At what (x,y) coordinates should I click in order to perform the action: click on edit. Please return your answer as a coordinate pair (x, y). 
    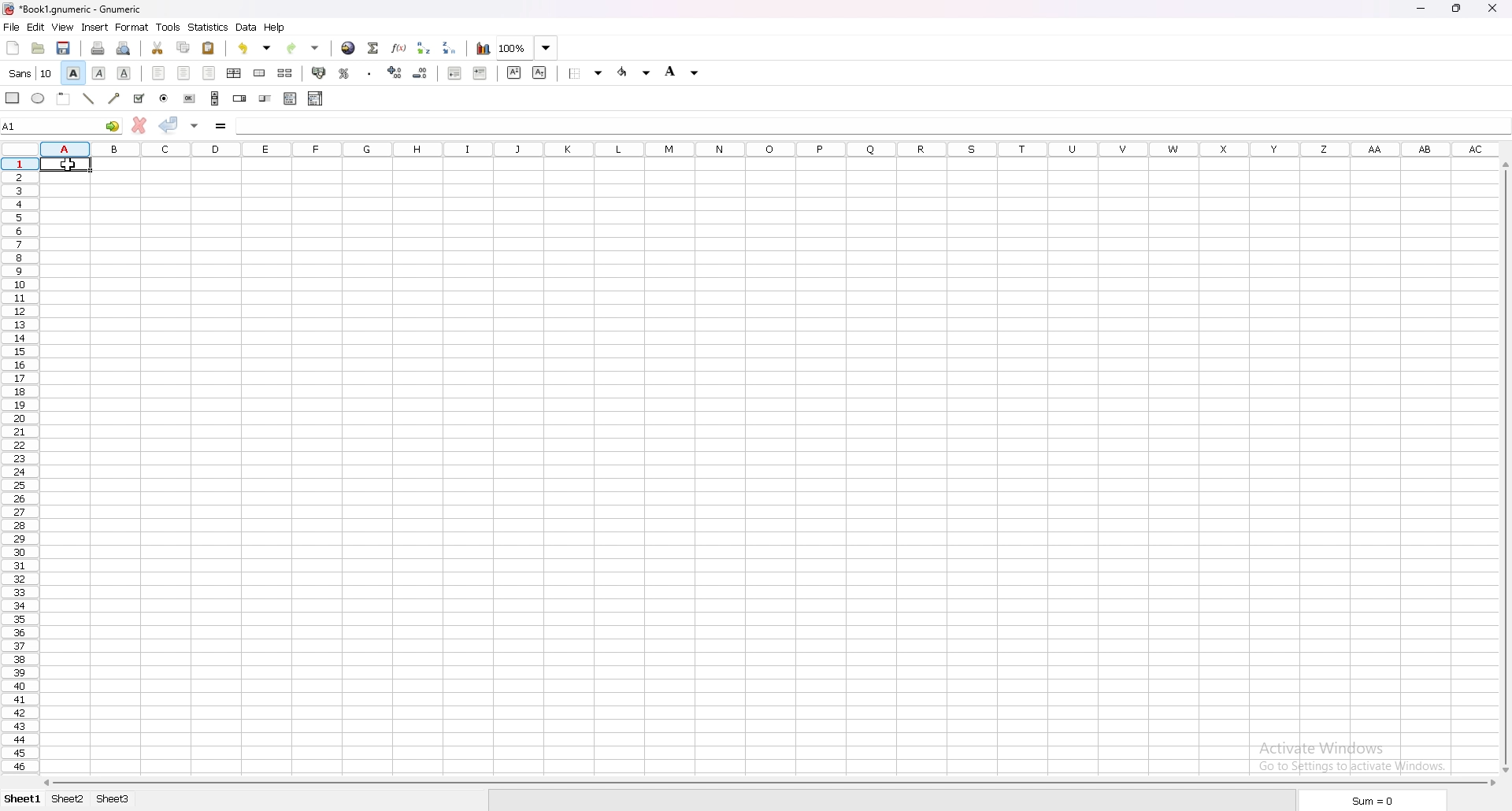
    Looking at the image, I should click on (37, 26).